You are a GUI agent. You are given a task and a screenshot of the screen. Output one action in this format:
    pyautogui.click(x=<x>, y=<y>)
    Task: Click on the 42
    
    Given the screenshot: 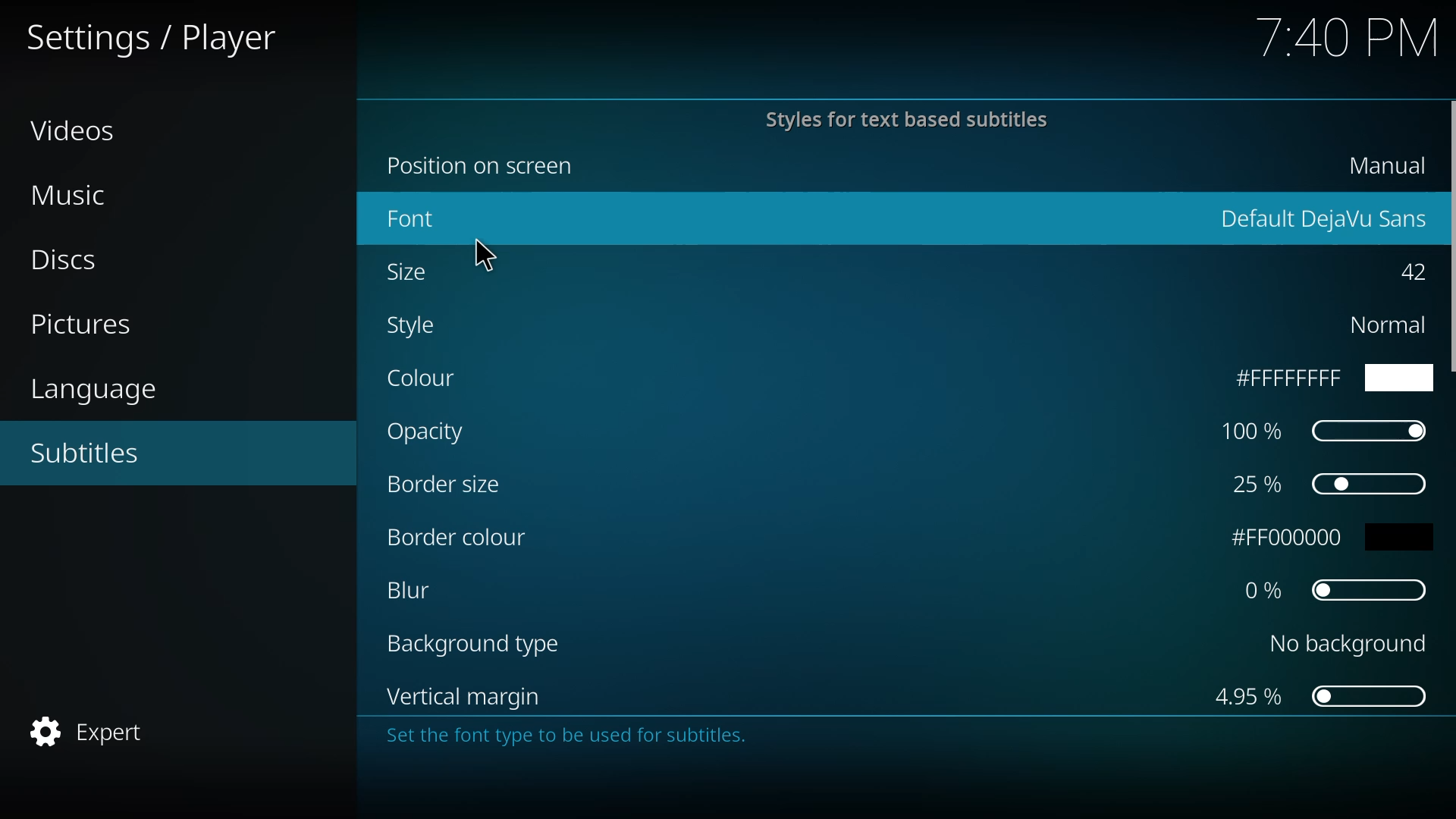 What is the action you would take?
    pyautogui.click(x=1407, y=271)
    